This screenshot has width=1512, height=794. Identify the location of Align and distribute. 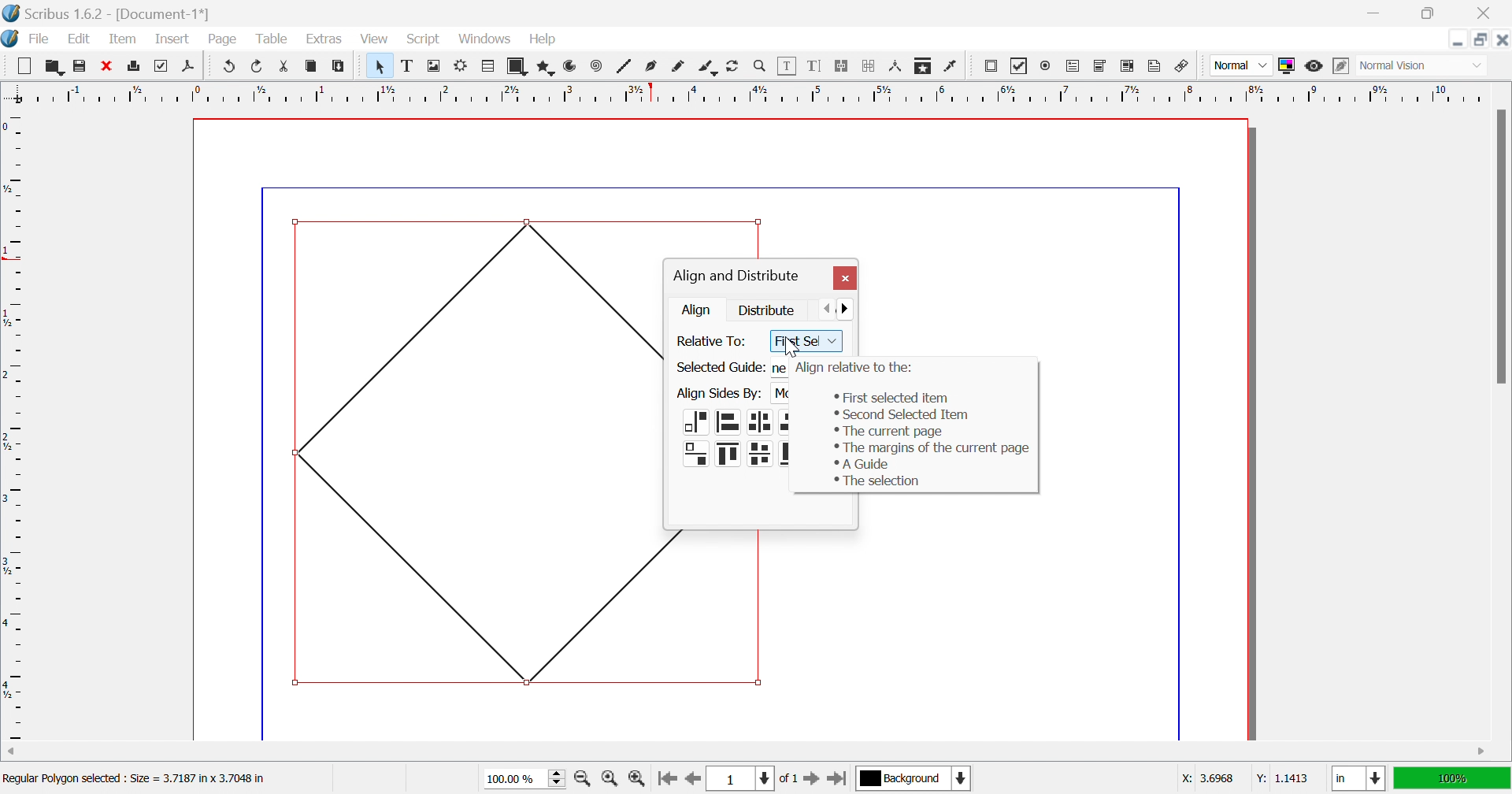
(736, 276).